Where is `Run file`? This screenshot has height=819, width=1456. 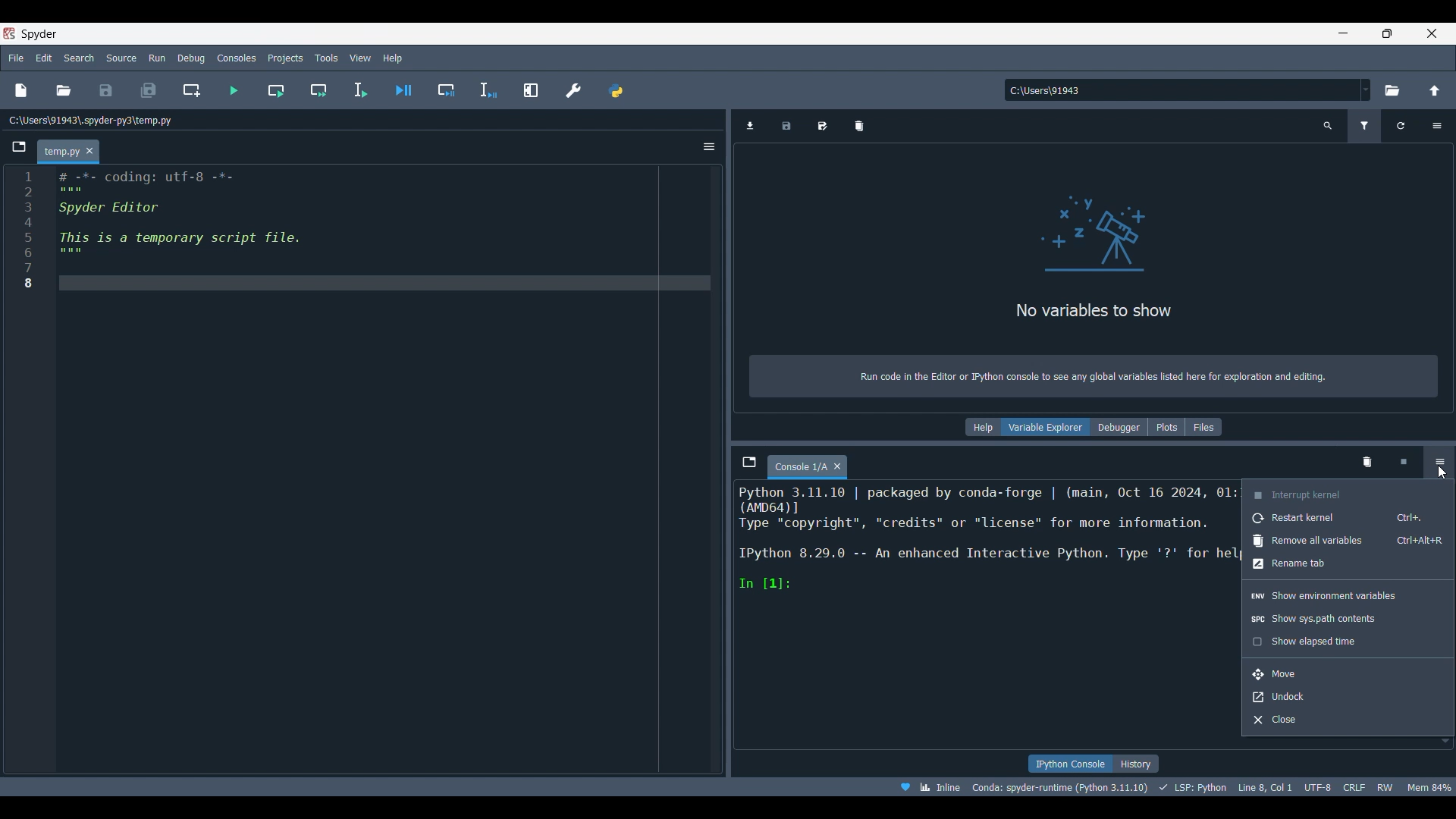
Run file is located at coordinates (234, 90).